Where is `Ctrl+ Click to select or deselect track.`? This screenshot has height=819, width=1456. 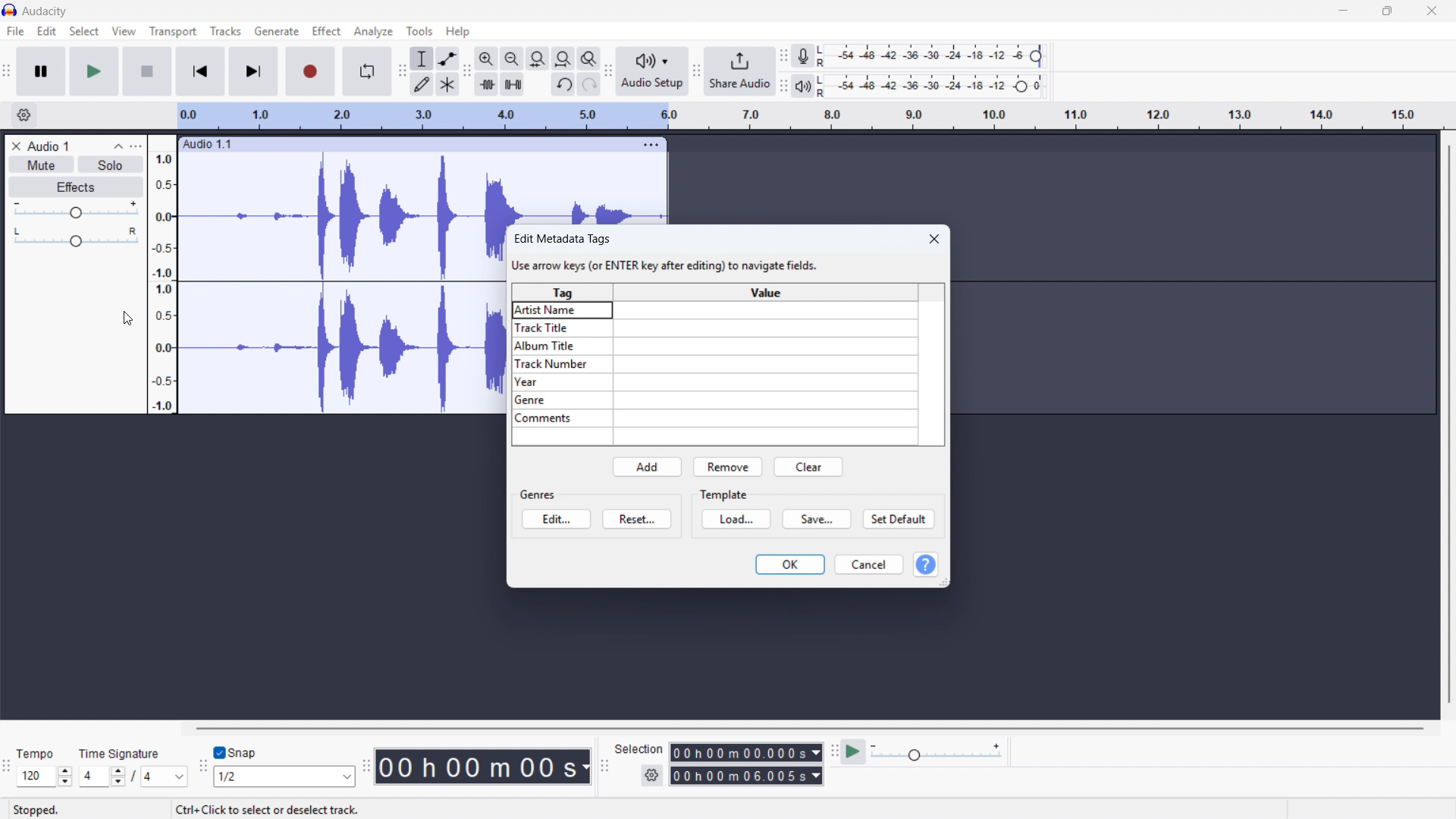 Ctrl+ Click to select or deselect track. is located at coordinates (262, 808).